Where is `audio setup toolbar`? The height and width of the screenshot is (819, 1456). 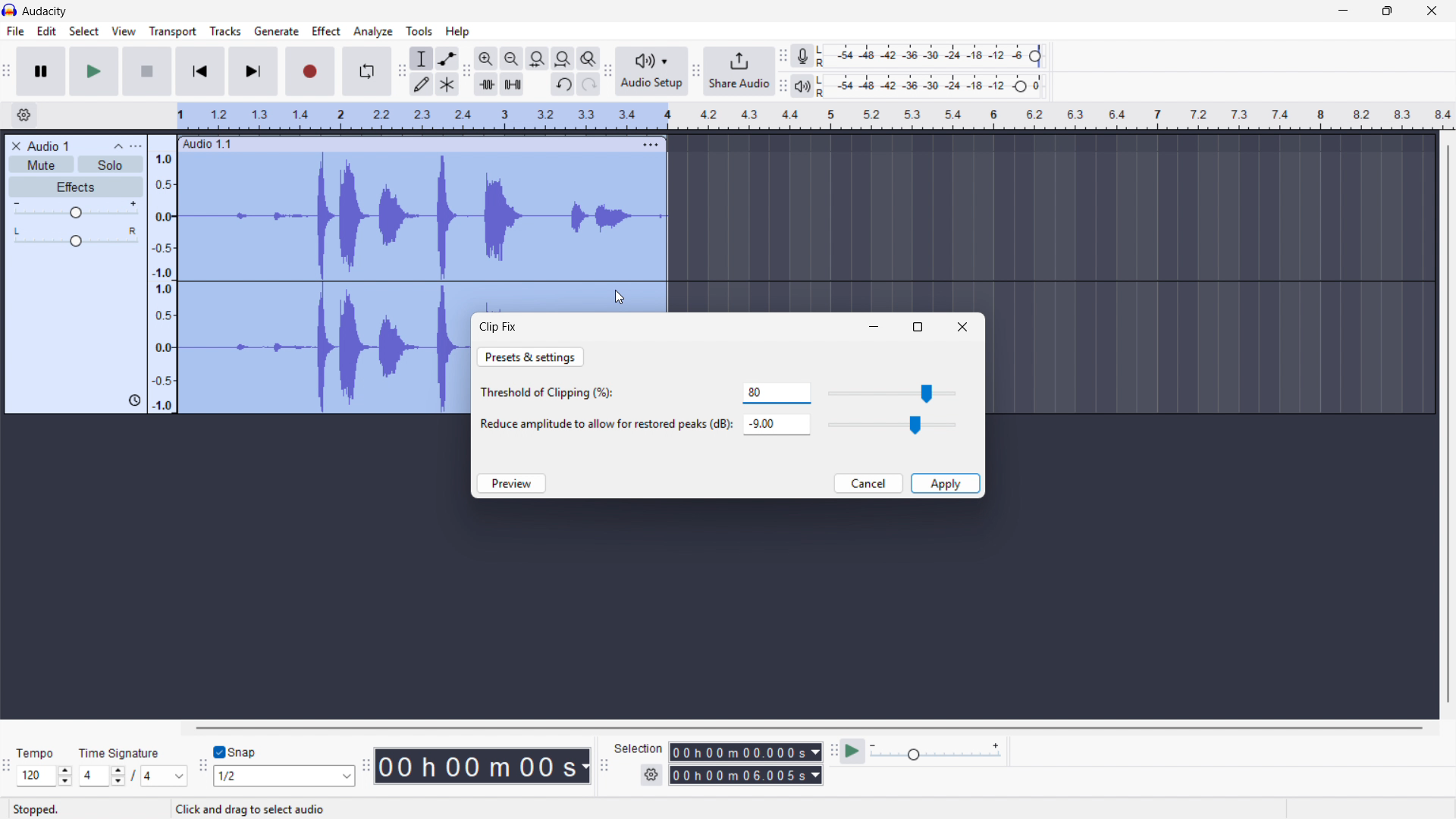 audio setup toolbar is located at coordinates (607, 73).